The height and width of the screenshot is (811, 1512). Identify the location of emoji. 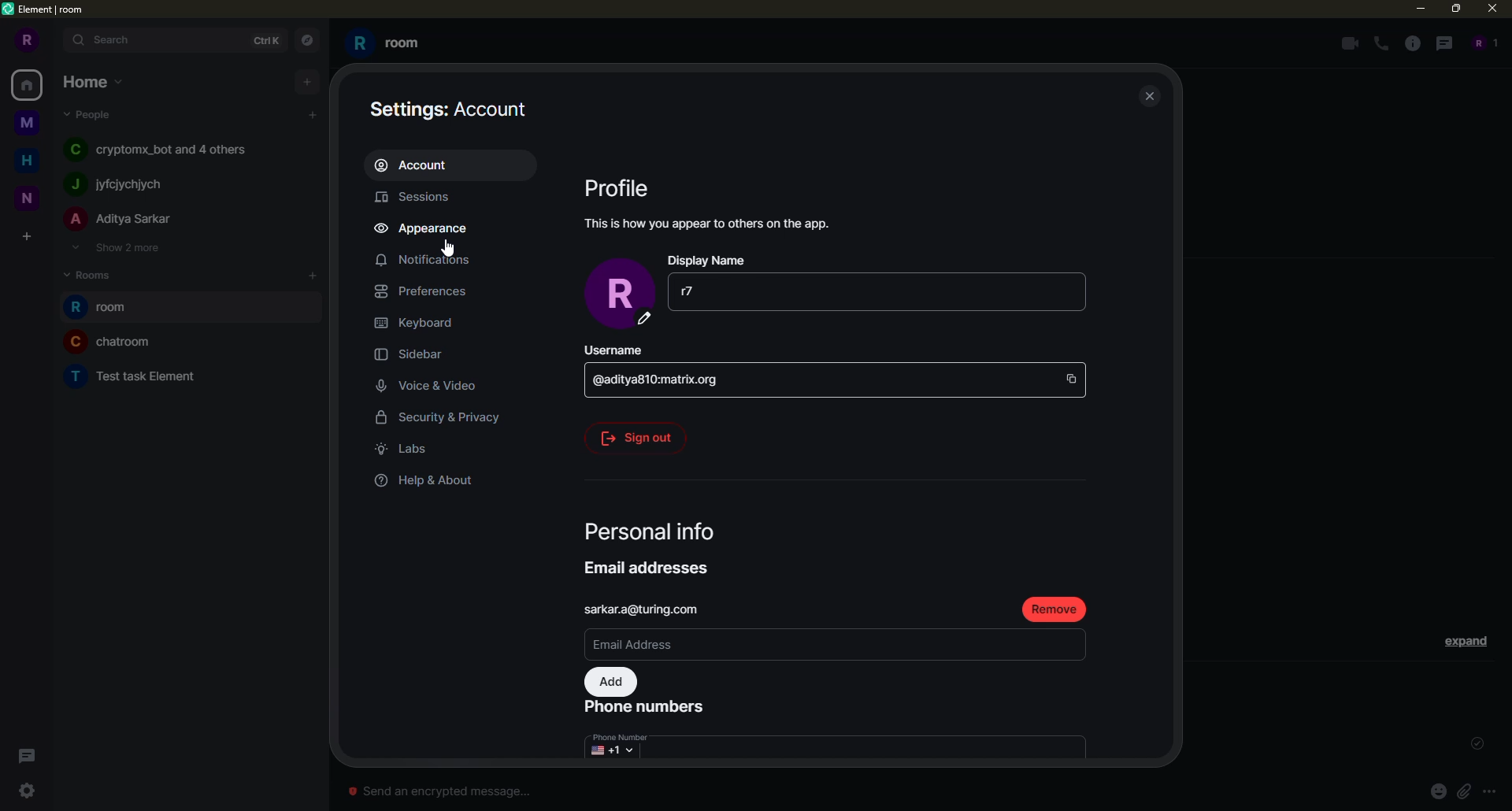
(1438, 791).